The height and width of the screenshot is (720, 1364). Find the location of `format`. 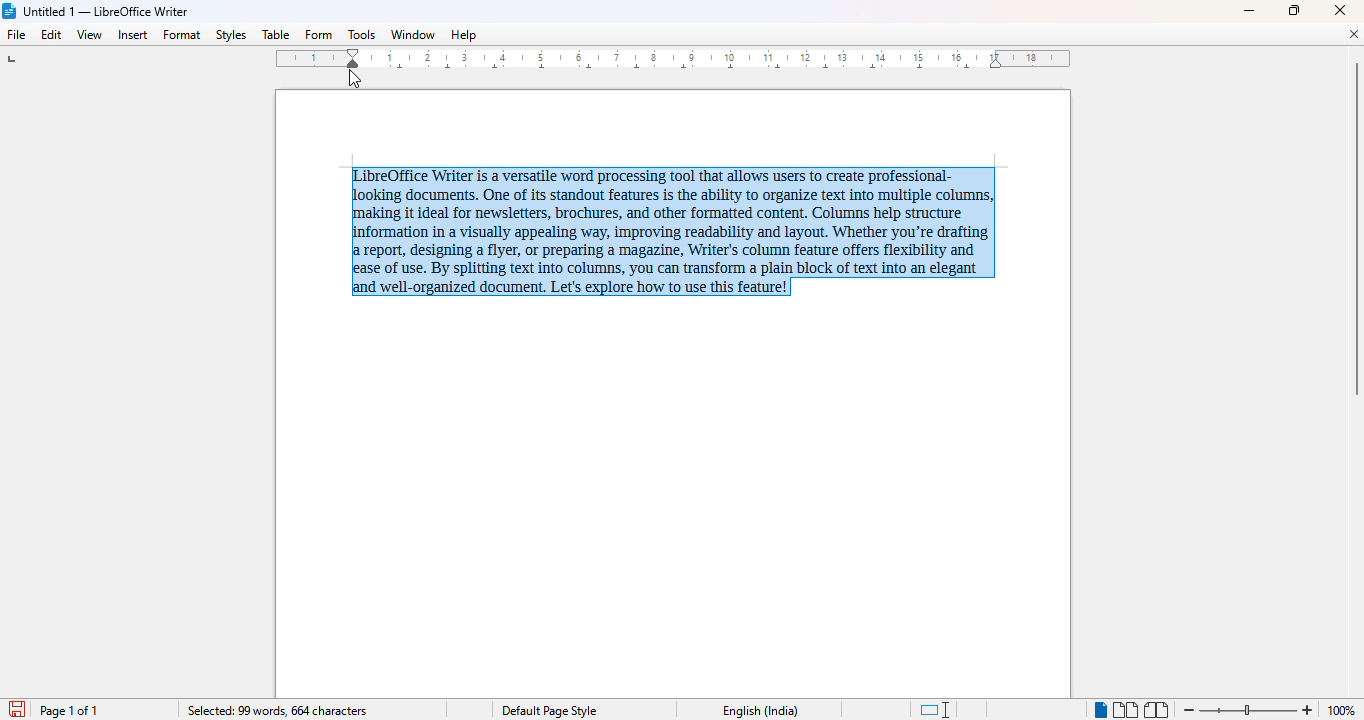

format is located at coordinates (183, 35).